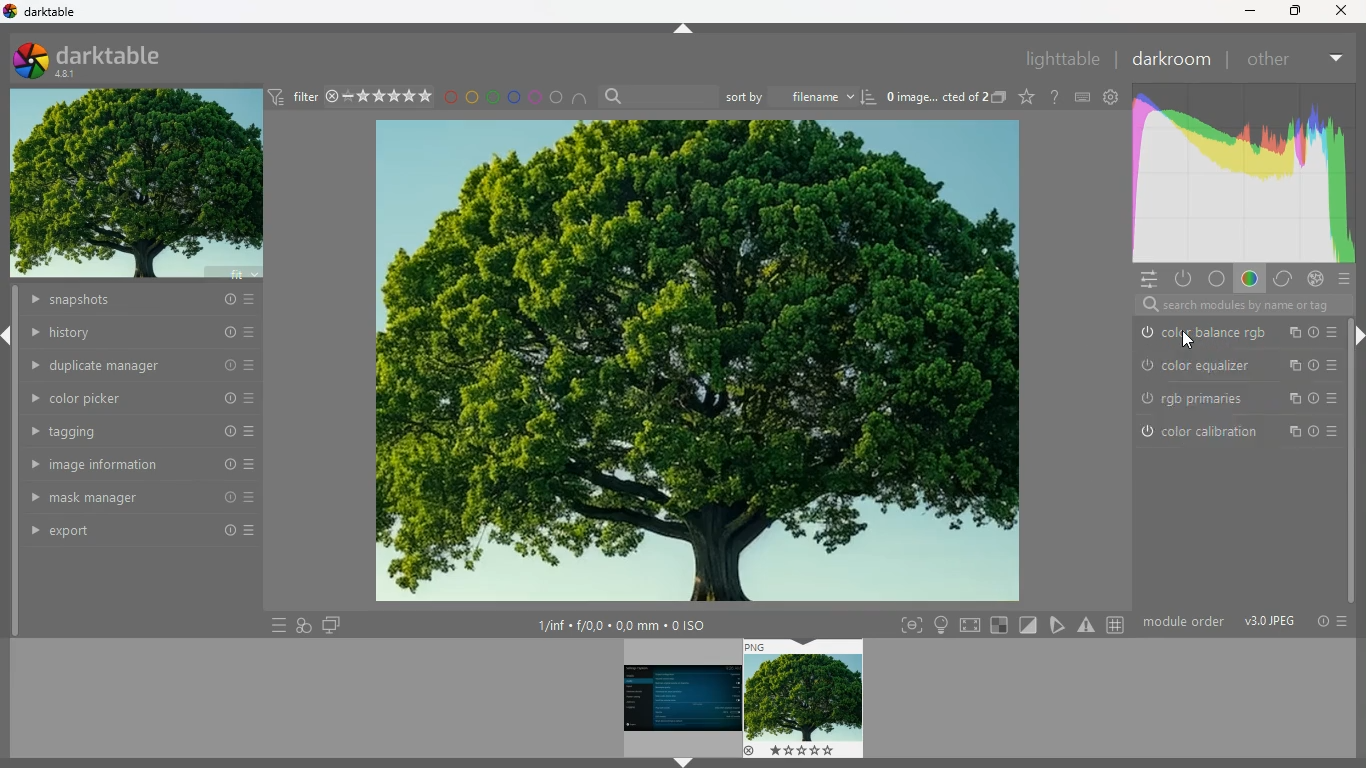 The height and width of the screenshot is (768, 1366). Describe the element at coordinates (143, 432) in the screenshot. I see `tagging` at that location.